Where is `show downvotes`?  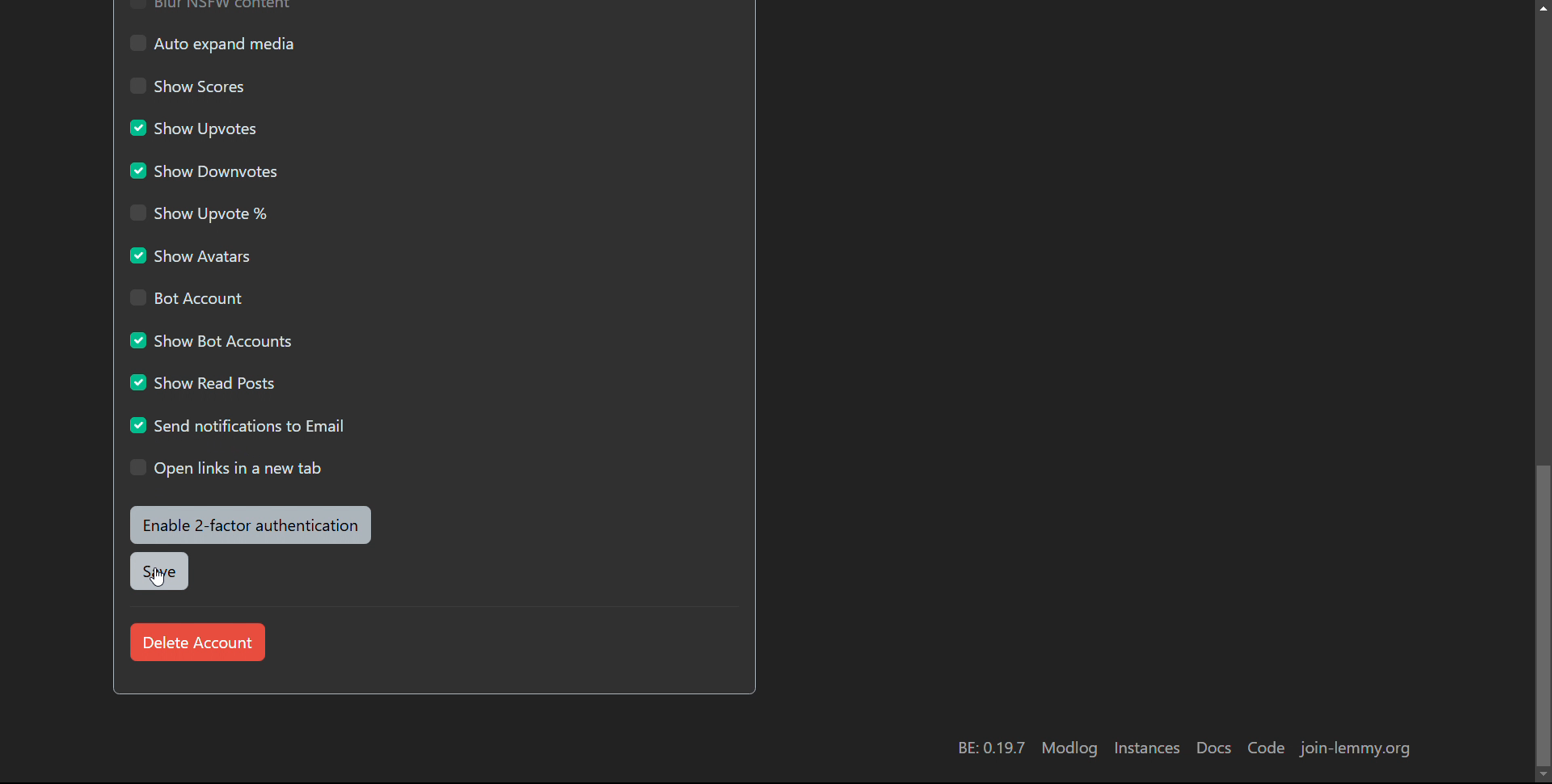 show downvotes is located at coordinates (204, 170).